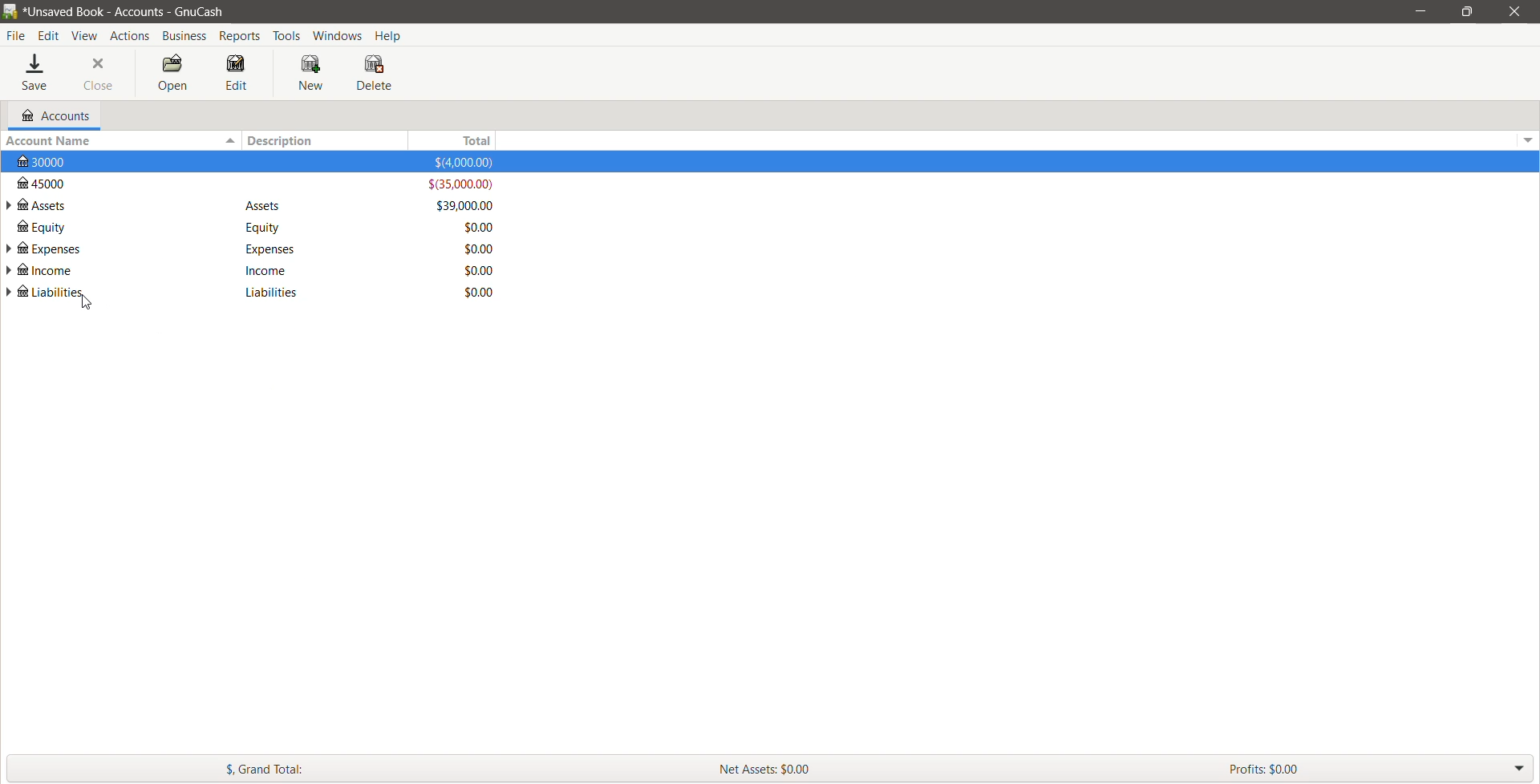  I want to click on Edit, so click(51, 36).